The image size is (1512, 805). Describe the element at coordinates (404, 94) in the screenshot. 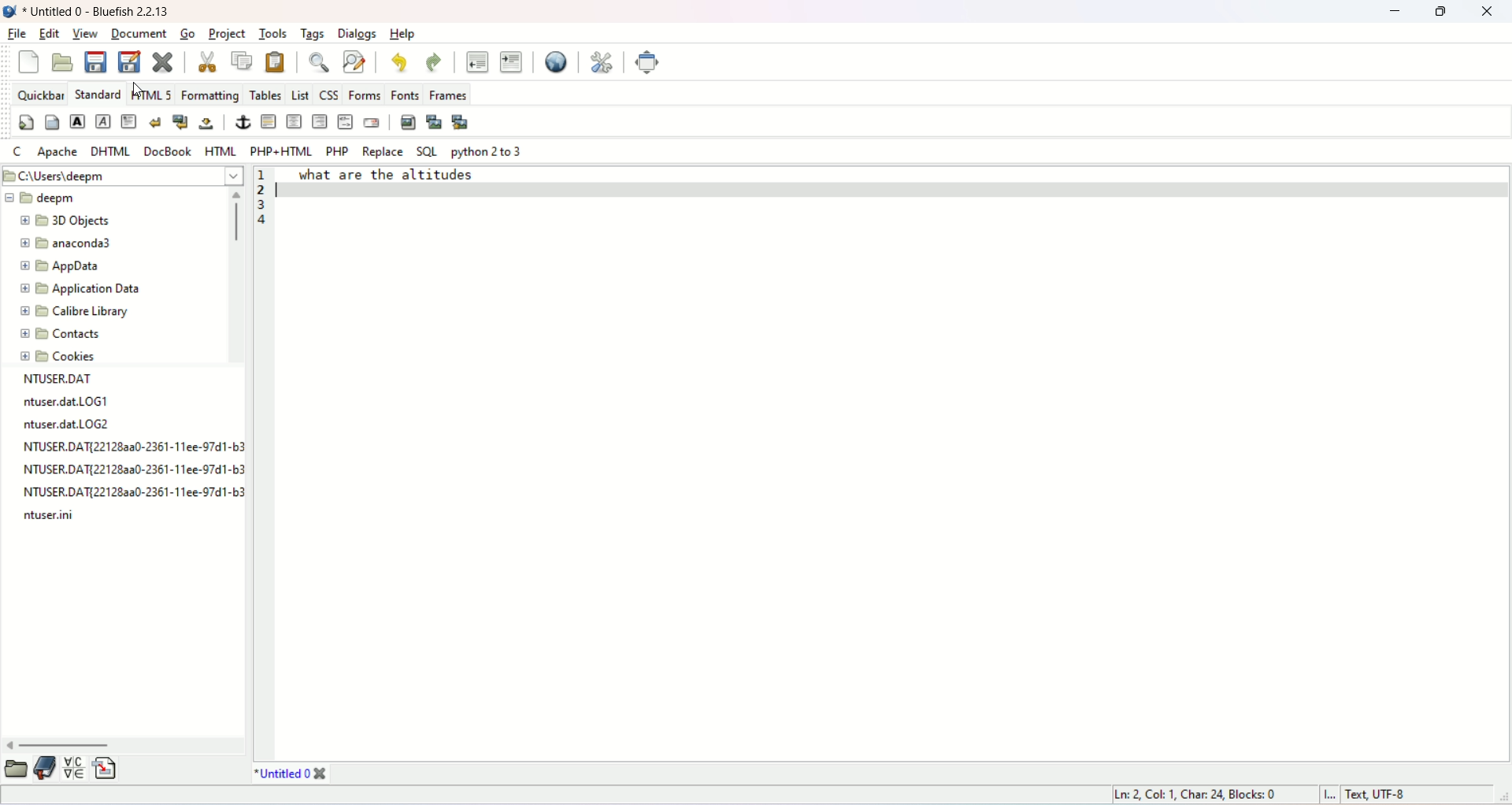

I see `fonts` at that location.